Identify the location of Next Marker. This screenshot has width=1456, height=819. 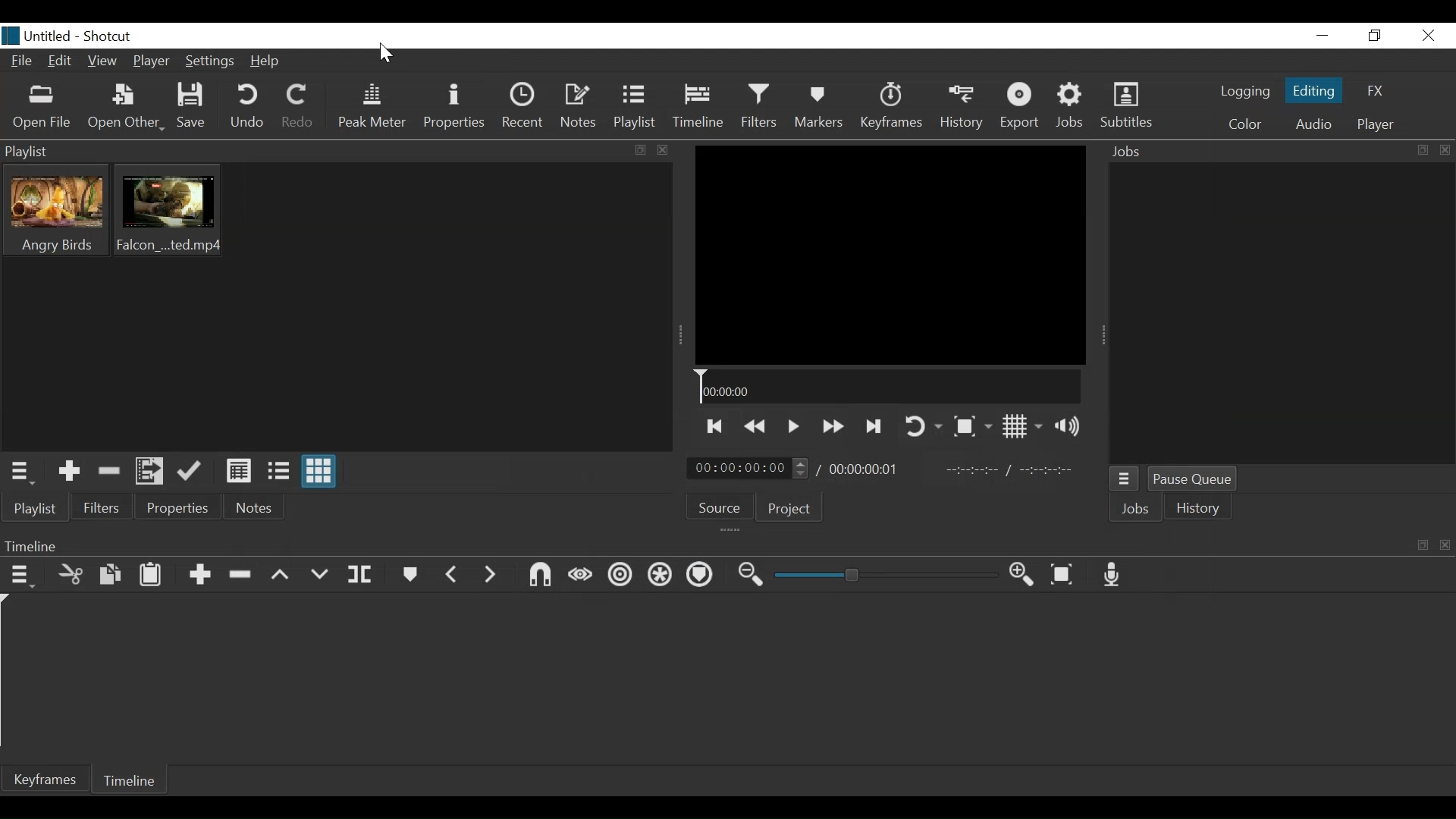
(491, 573).